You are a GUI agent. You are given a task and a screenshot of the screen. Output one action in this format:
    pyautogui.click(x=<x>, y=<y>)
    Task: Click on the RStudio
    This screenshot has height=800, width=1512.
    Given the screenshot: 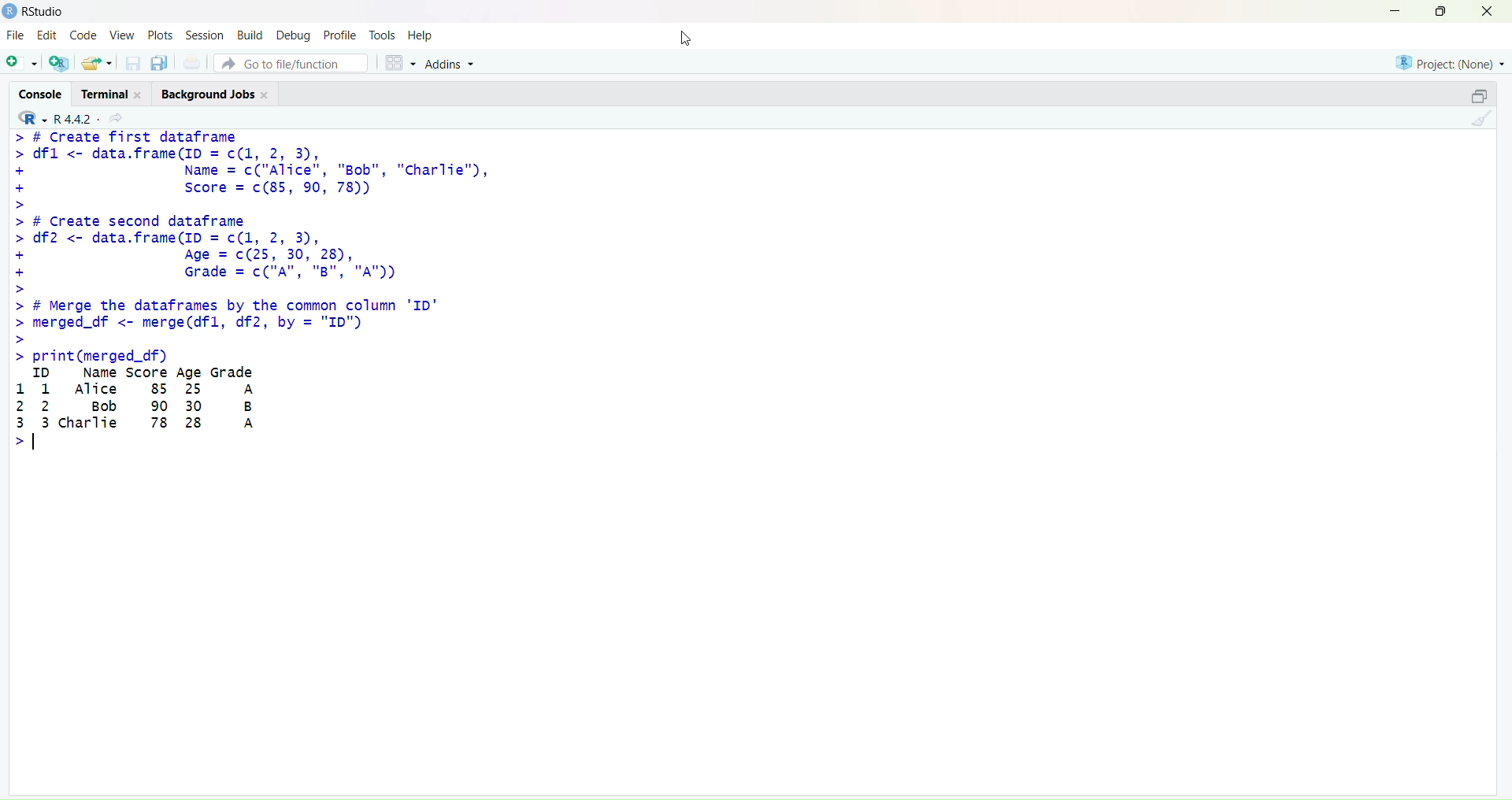 What is the action you would take?
    pyautogui.click(x=45, y=12)
    